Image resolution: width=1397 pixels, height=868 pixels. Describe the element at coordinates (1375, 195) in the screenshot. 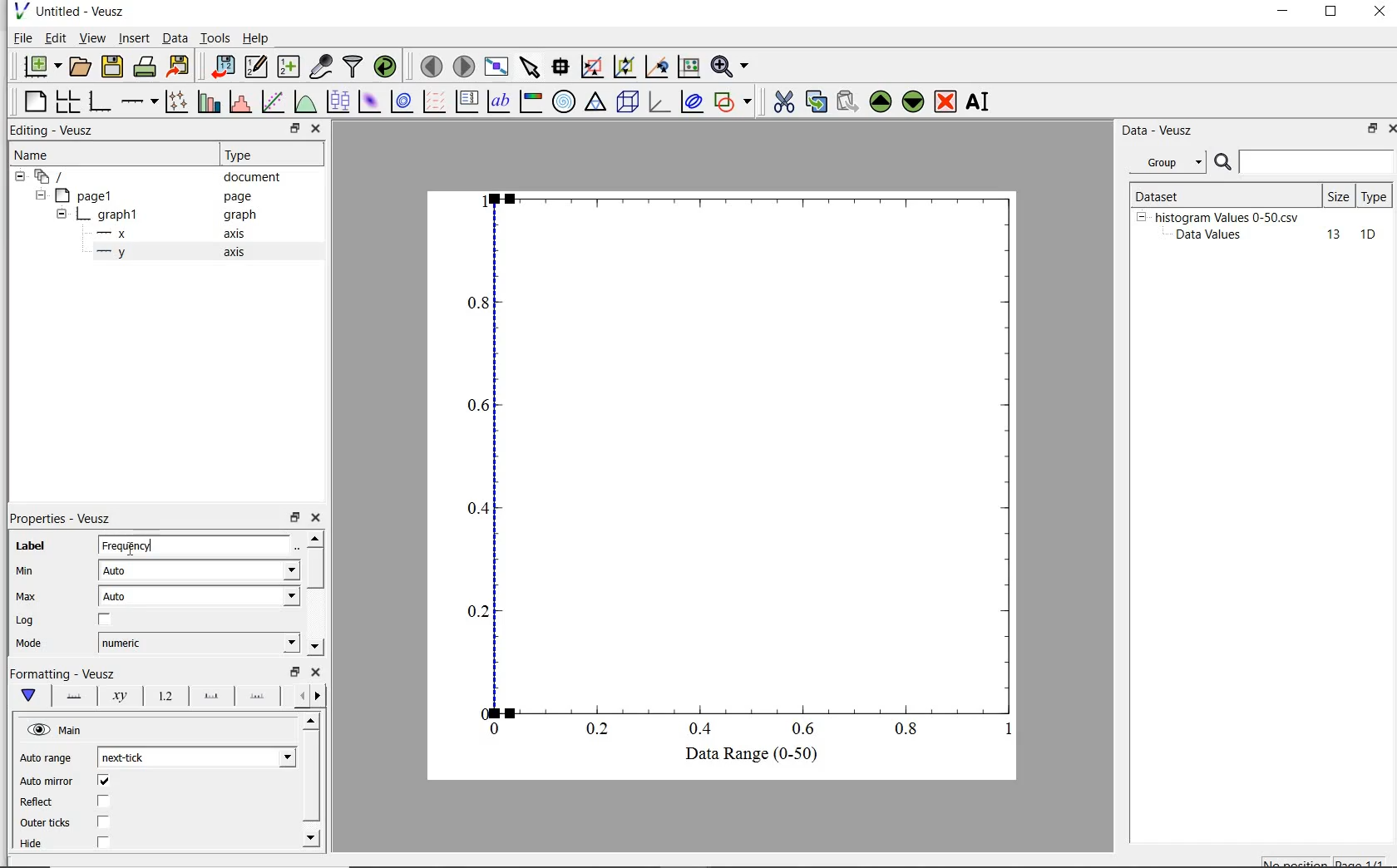

I see `type` at that location.